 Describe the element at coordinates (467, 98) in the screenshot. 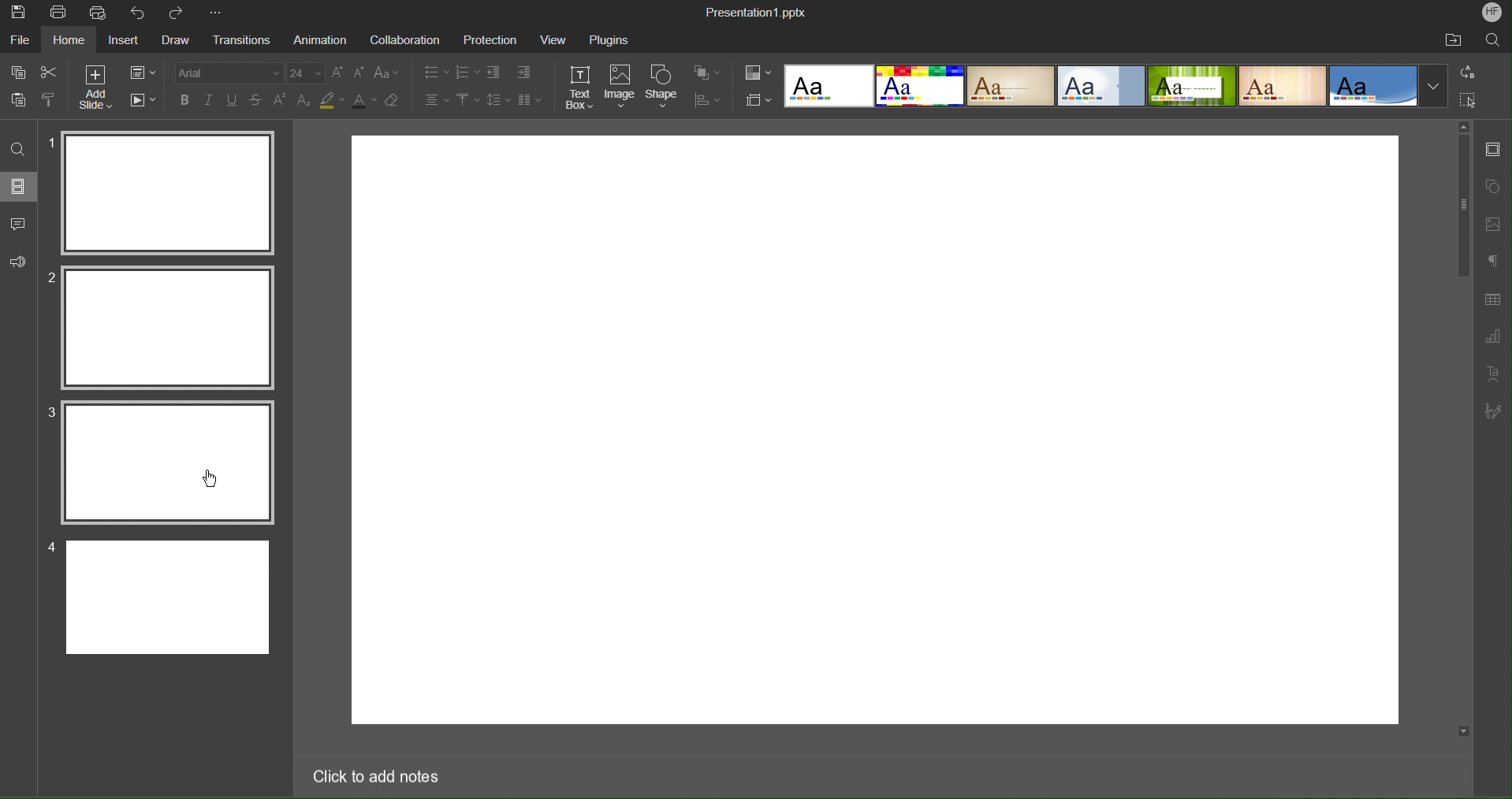

I see `Vertical Align` at that location.